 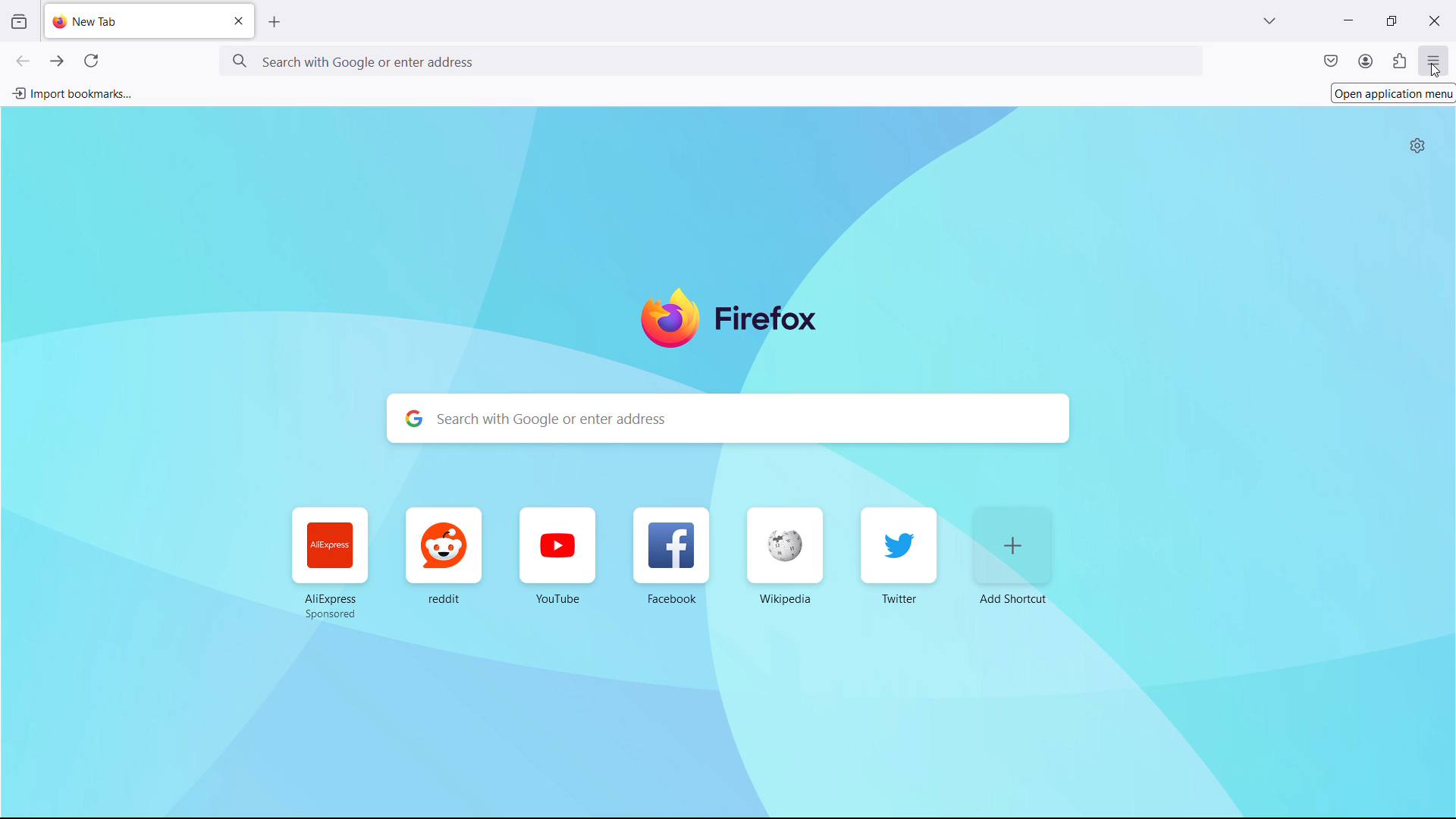 I want to click on account, so click(x=1365, y=60).